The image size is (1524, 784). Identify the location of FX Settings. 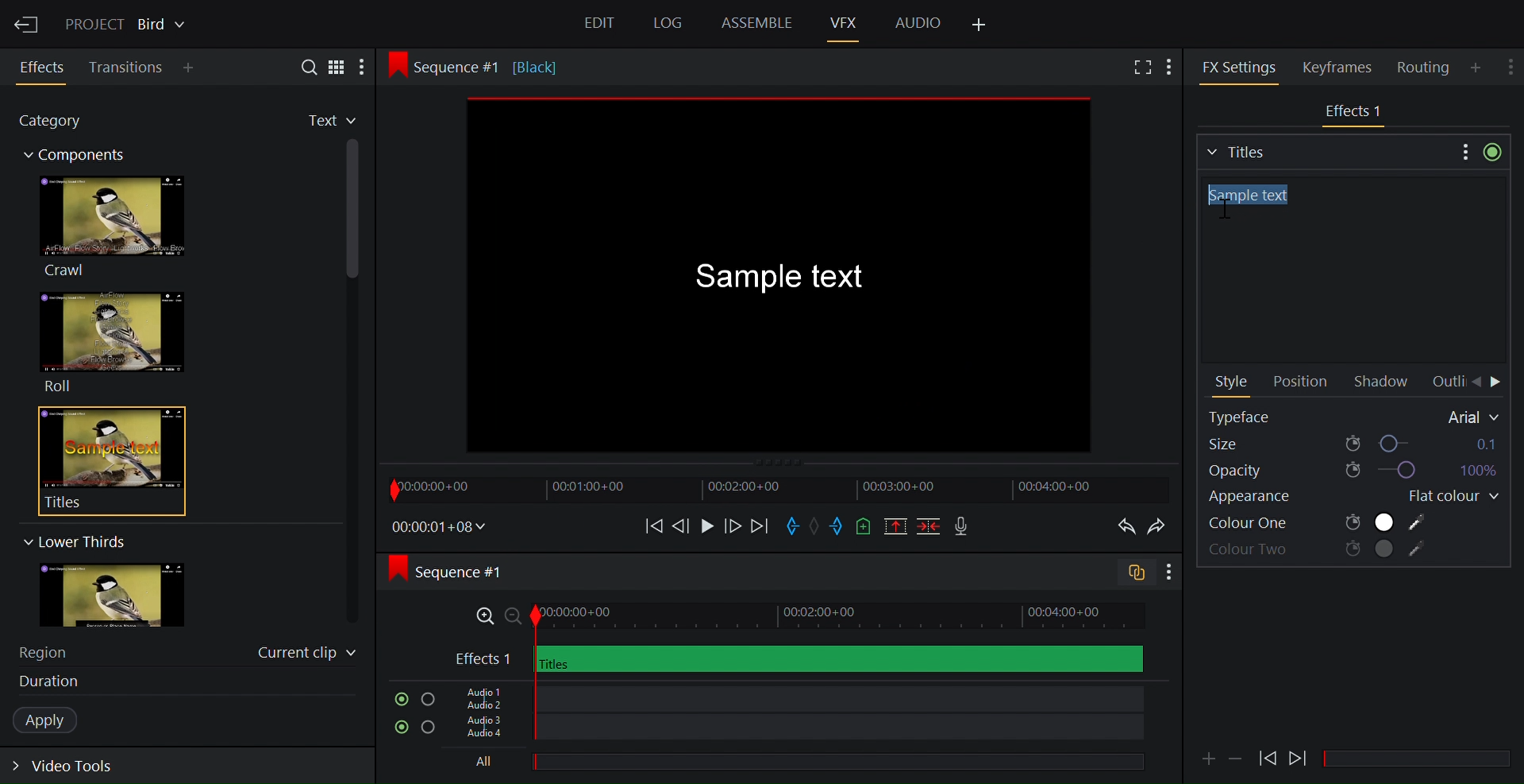
(1239, 67).